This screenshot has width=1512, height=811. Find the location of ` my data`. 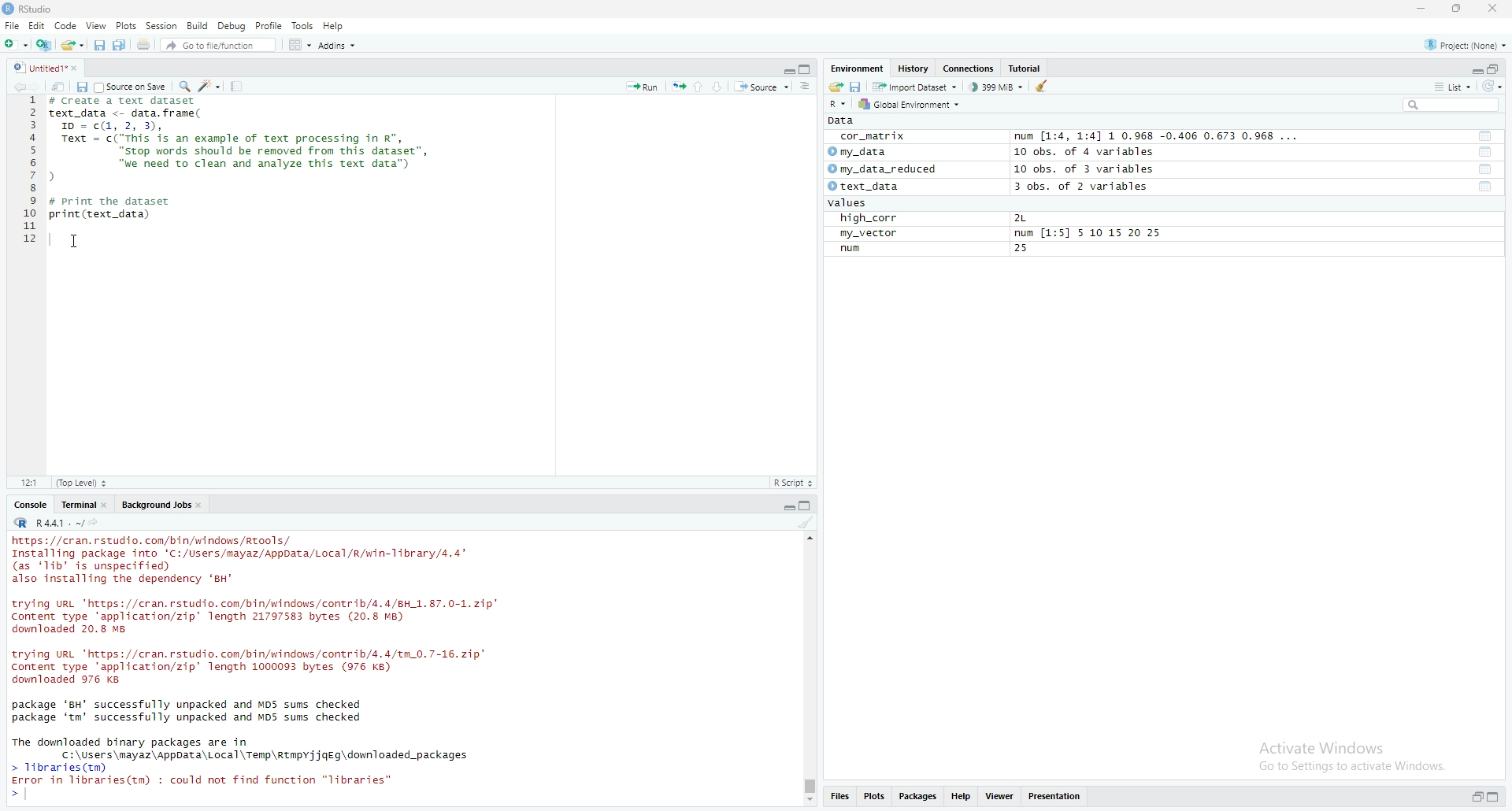

 my data is located at coordinates (858, 150).